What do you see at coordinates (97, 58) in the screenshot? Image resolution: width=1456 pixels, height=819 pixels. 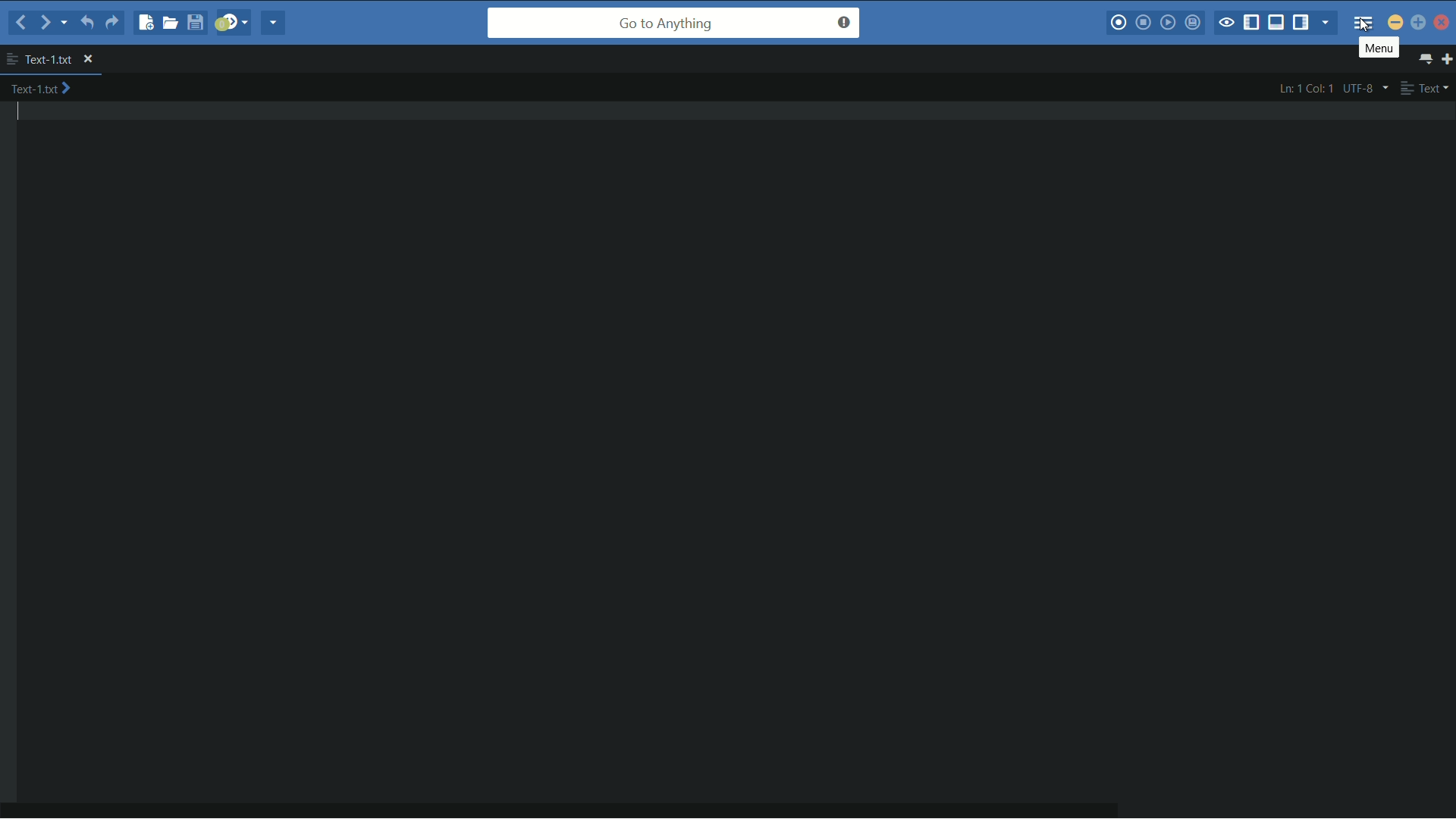 I see `close` at bounding box center [97, 58].